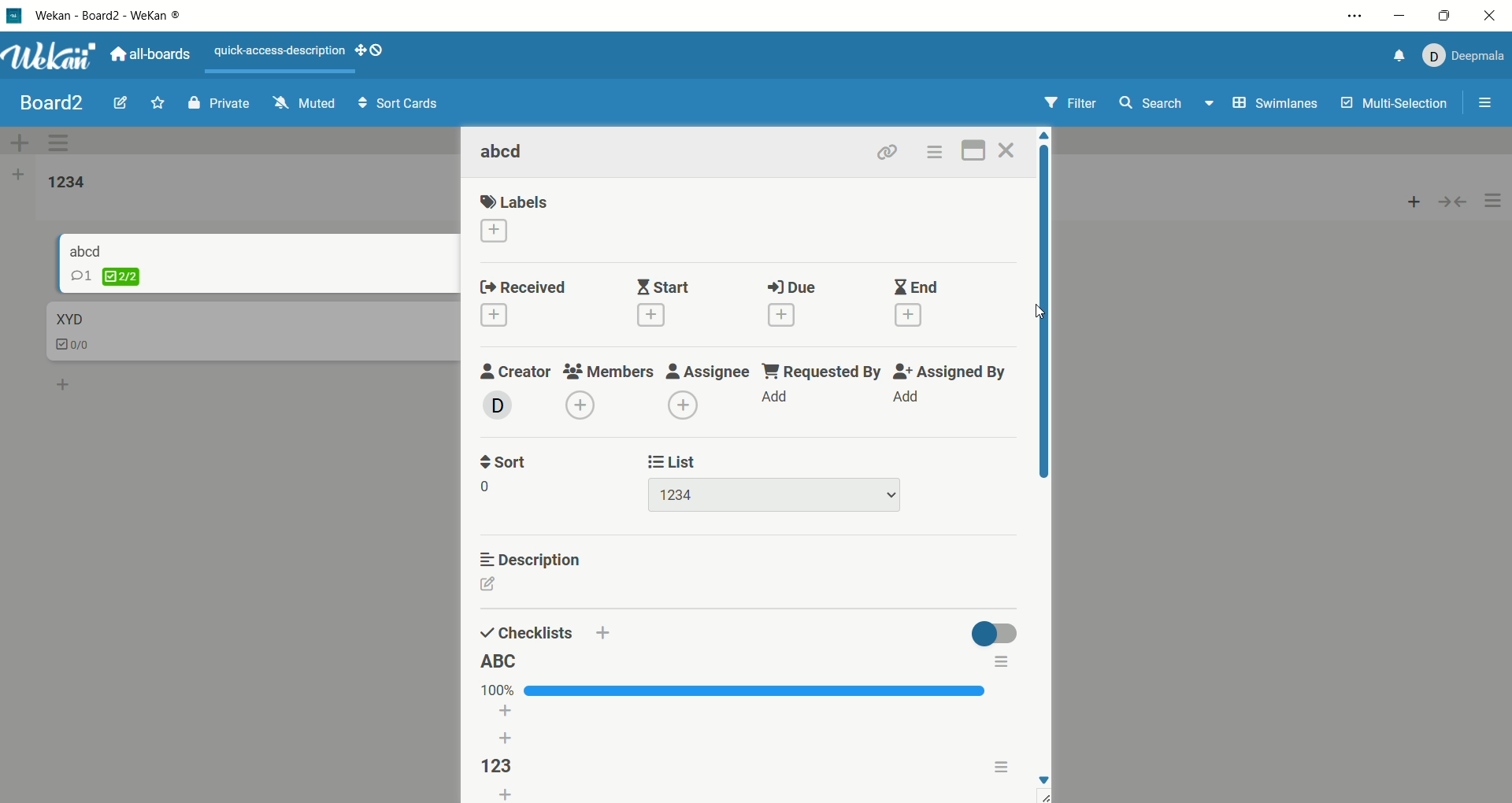 The image size is (1512, 803). What do you see at coordinates (1357, 16) in the screenshot?
I see `options` at bounding box center [1357, 16].